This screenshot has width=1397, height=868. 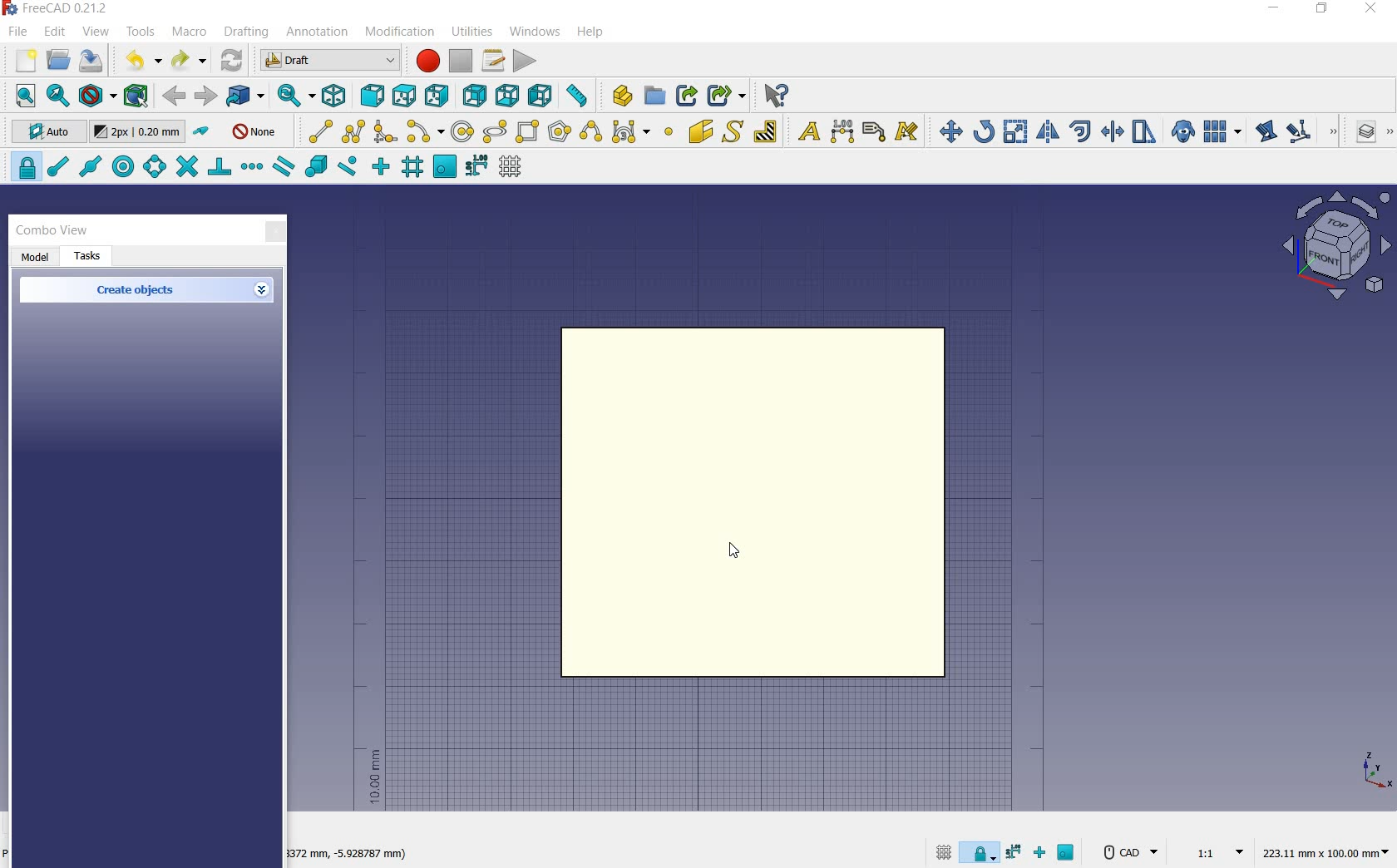 I want to click on scale, so click(x=1015, y=133).